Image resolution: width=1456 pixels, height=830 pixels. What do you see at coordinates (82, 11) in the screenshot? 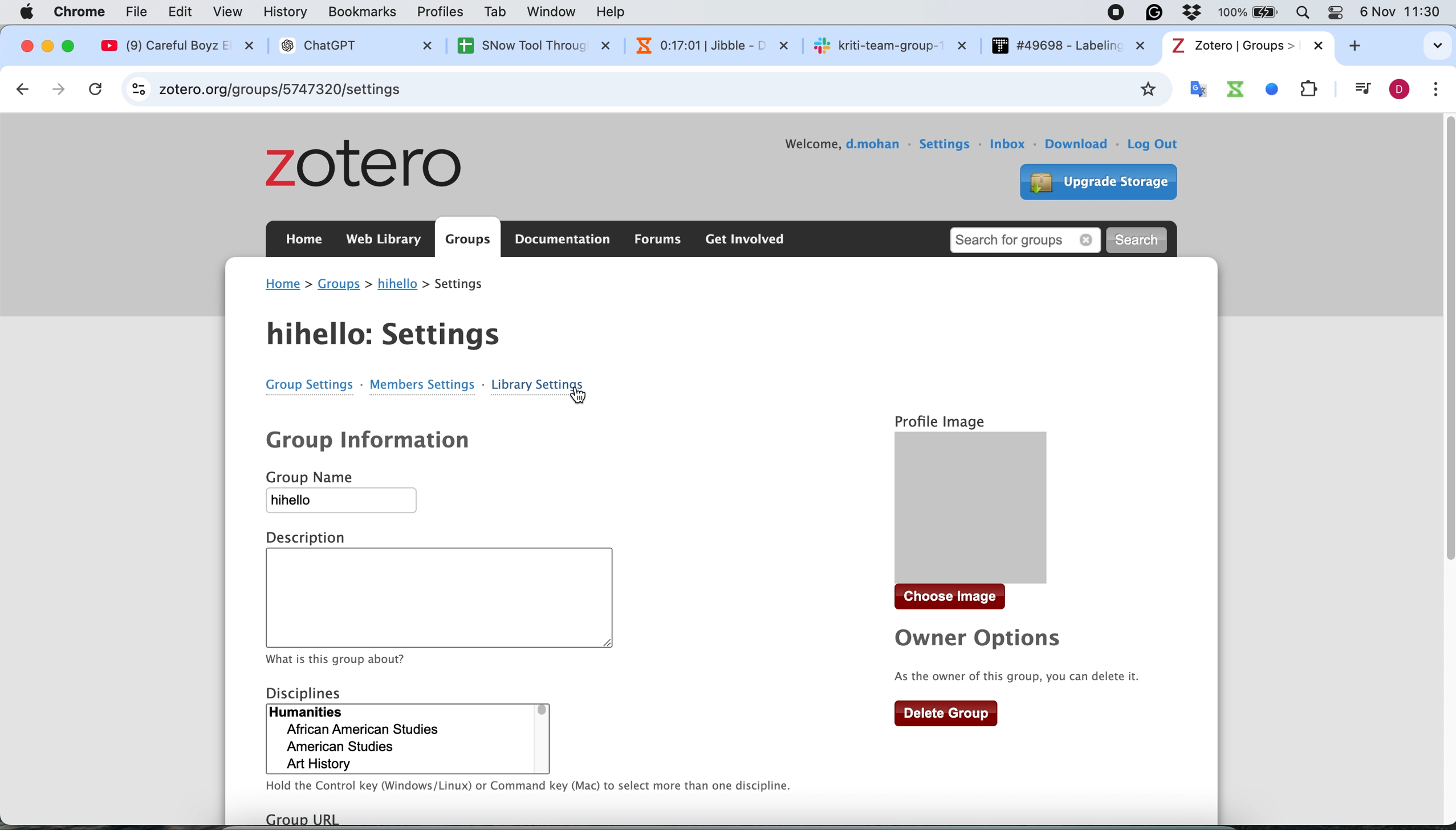
I see `chrome` at bounding box center [82, 11].